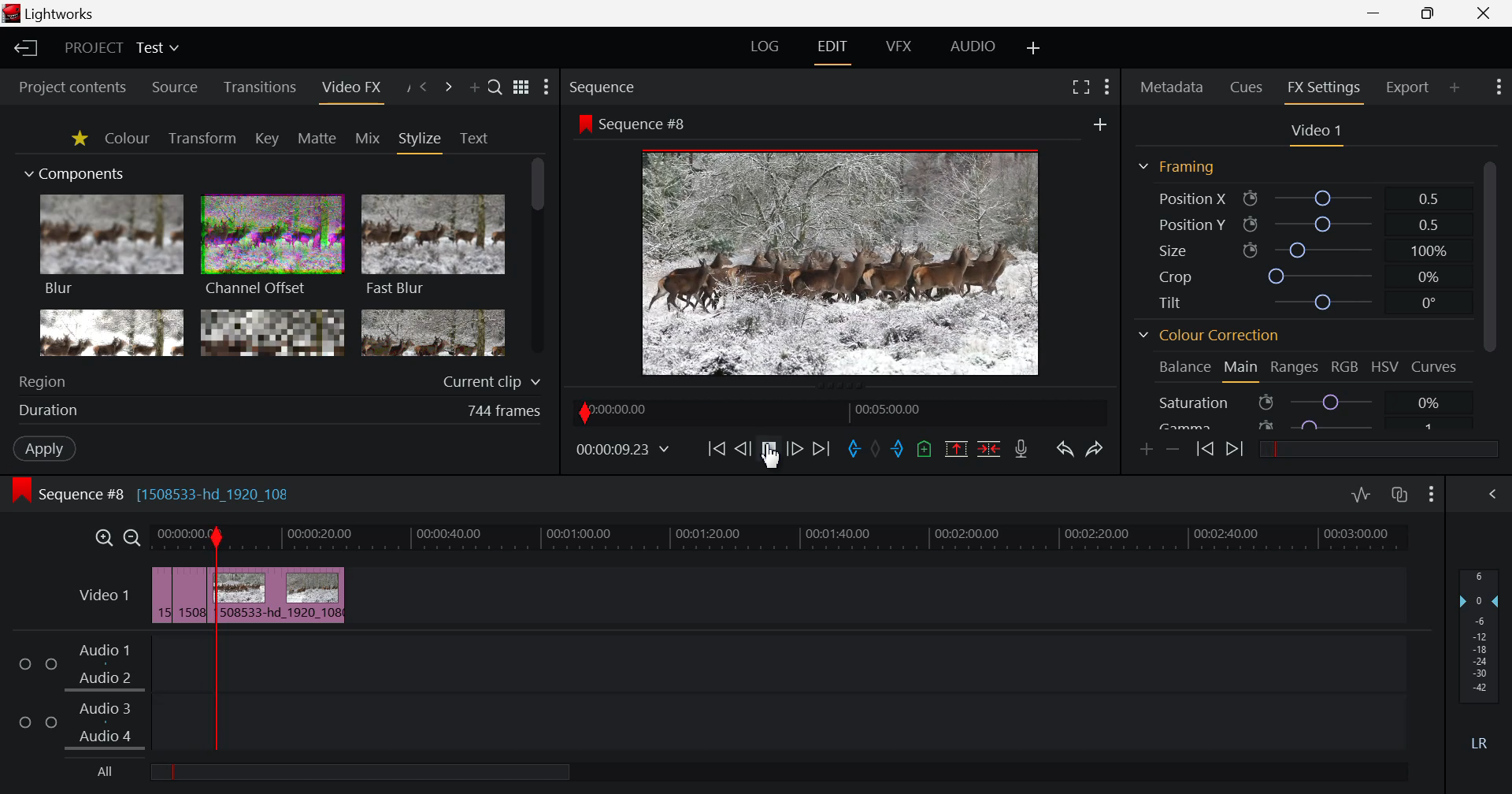  Describe the element at coordinates (113, 247) in the screenshot. I see `Blur` at that location.